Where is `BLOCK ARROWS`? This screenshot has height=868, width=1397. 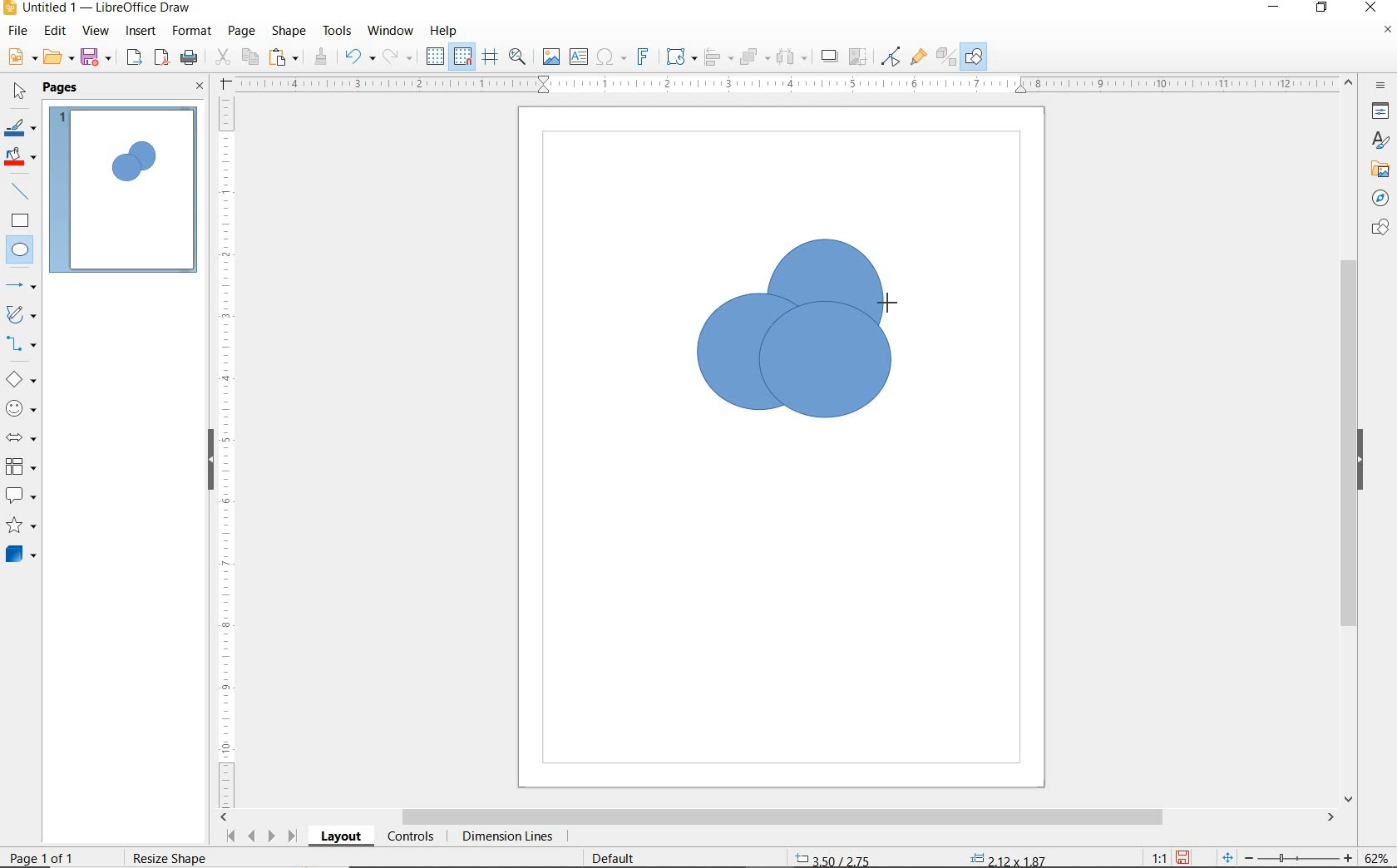 BLOCK ARROWS is located at coordinates (20, 435).